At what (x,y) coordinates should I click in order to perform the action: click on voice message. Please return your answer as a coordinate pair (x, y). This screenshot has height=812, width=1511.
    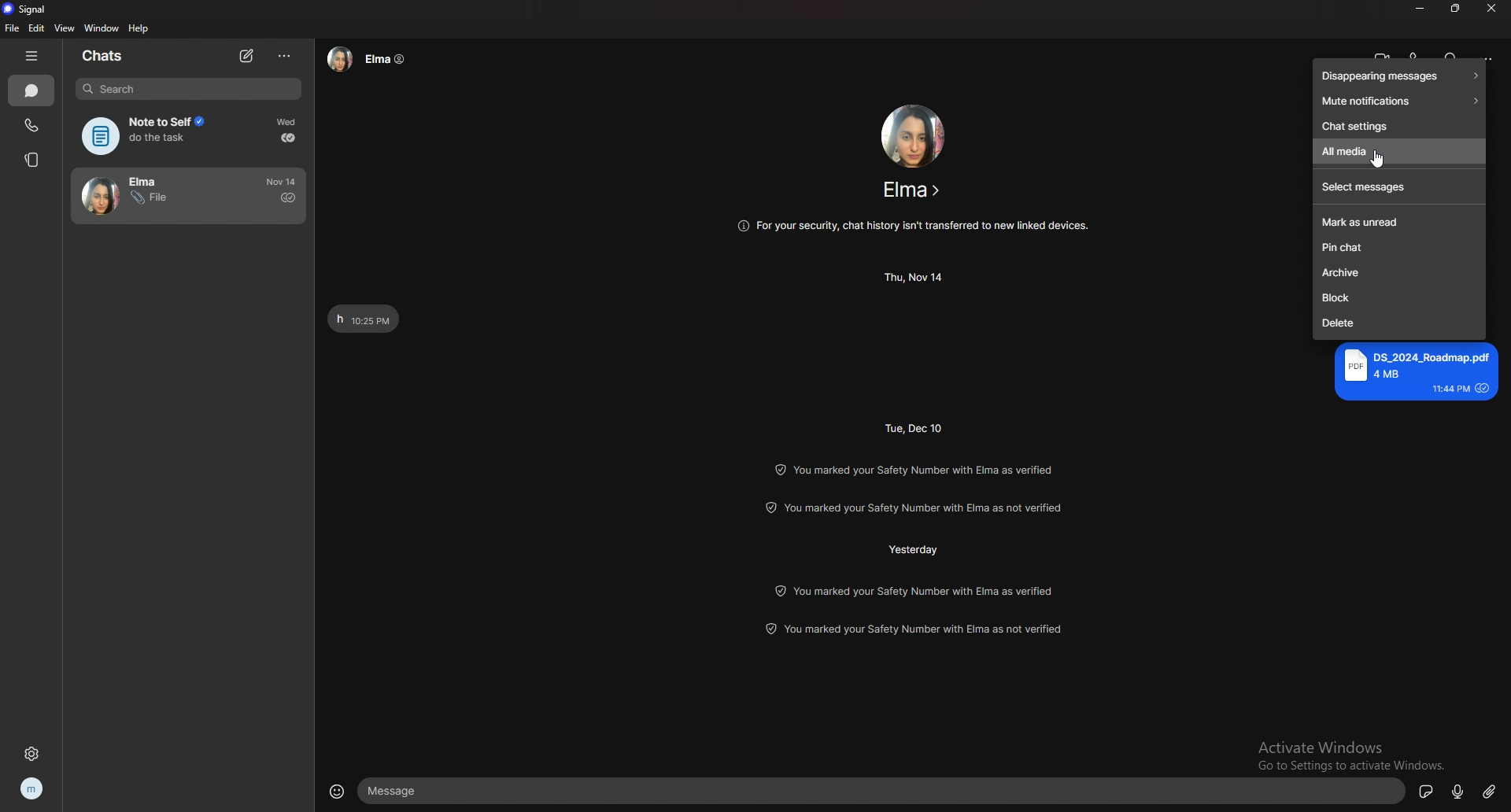
    Looking at the image, I should click on (1457, 790).